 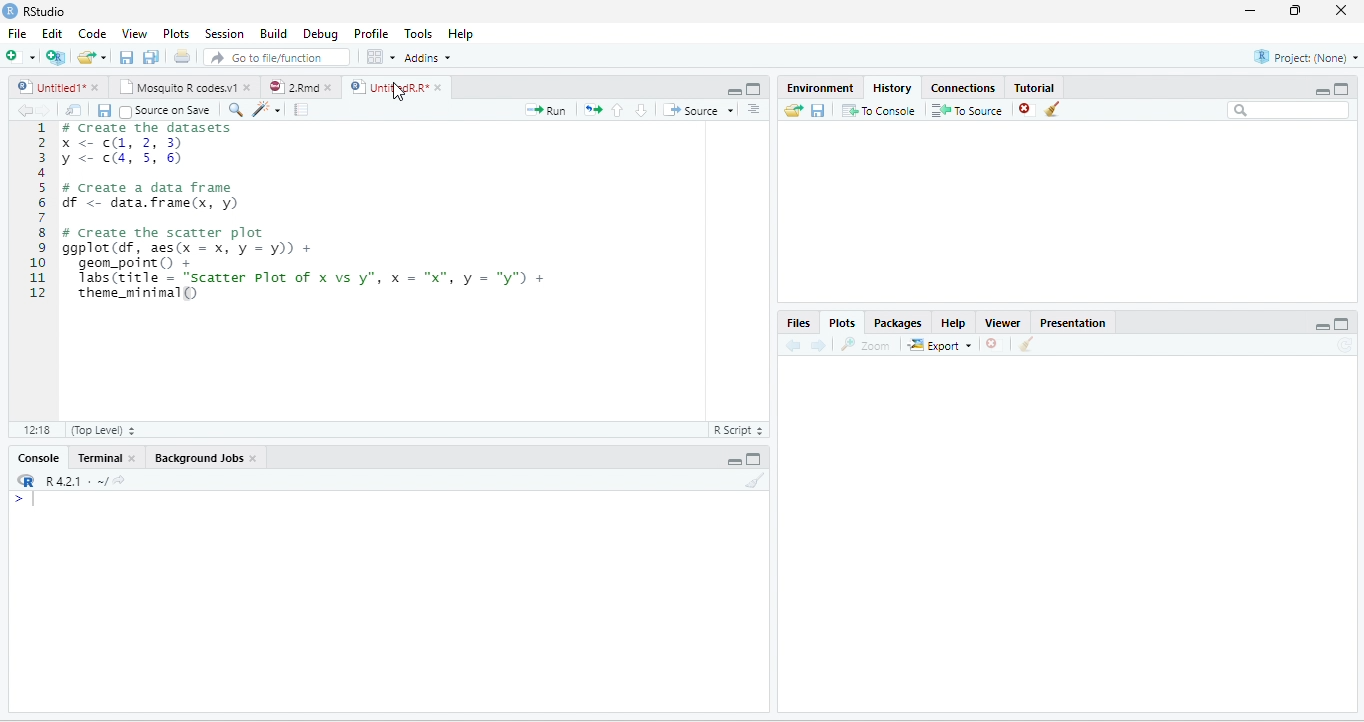 What do you see at coordinates (462, 33) in the screenshot?
I see `Help` at bounding box center [462, 33].